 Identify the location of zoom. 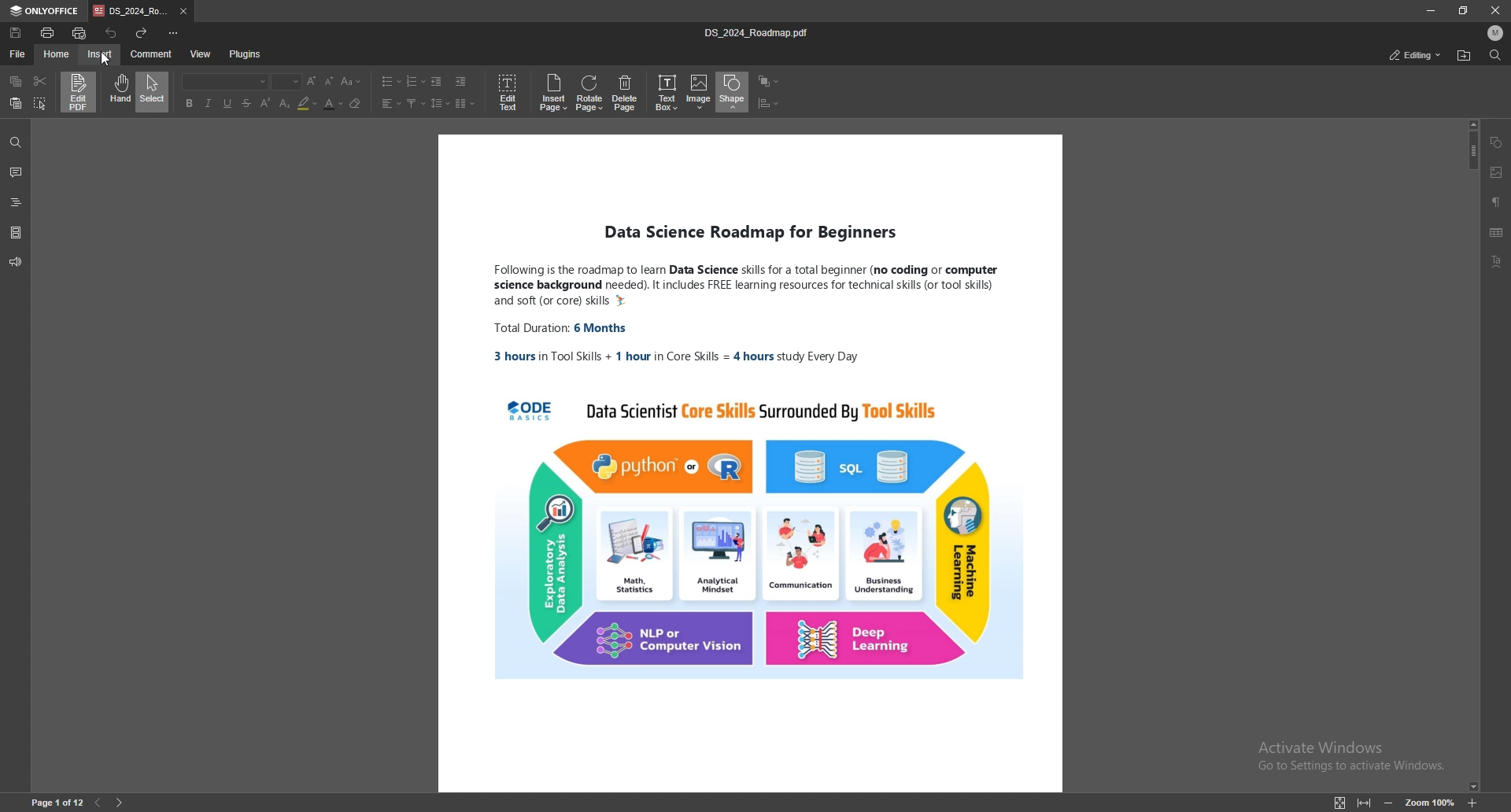
(1429, 802).